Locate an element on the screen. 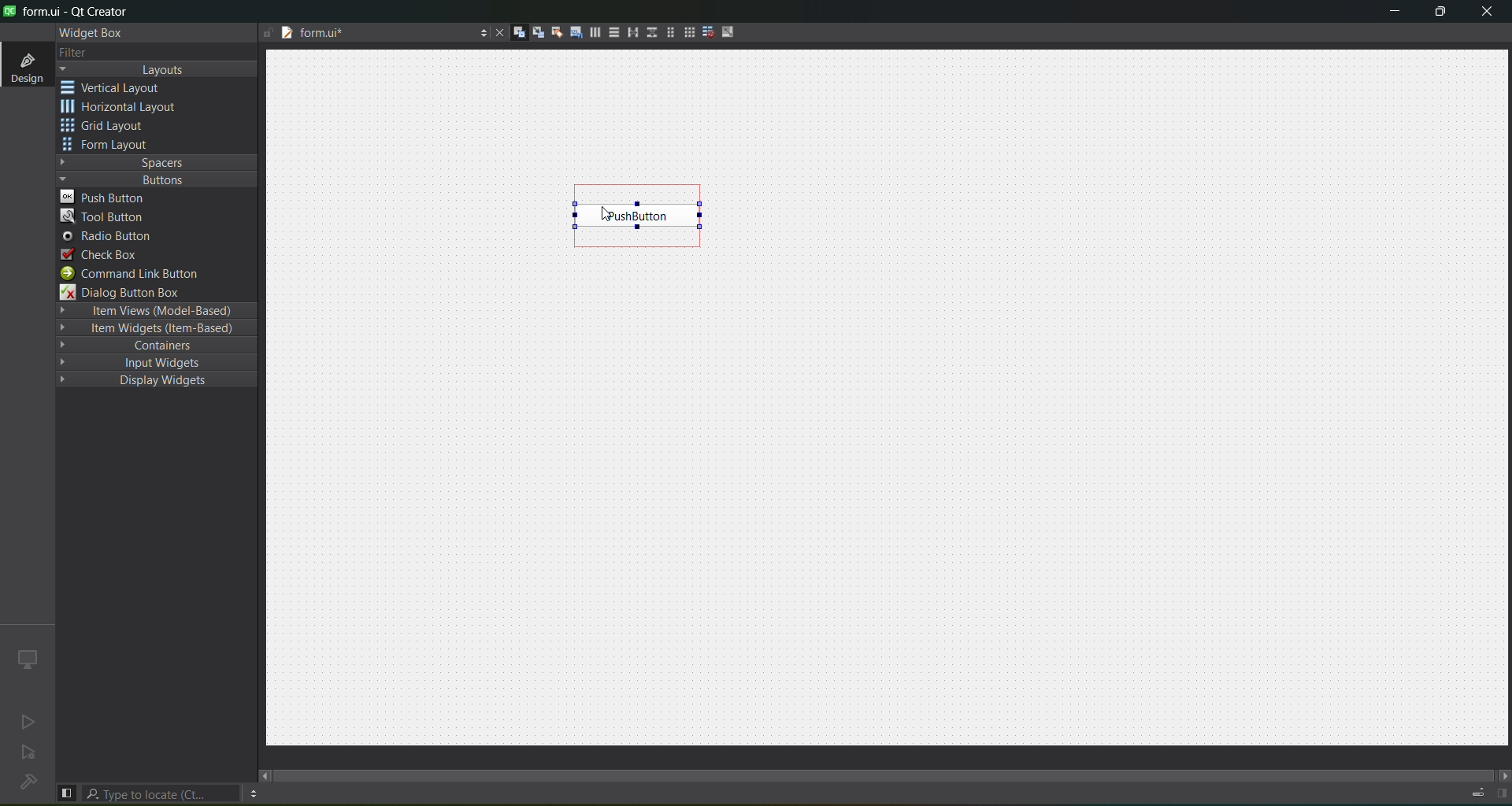  dialog button box is located at coordinates (130, 293).